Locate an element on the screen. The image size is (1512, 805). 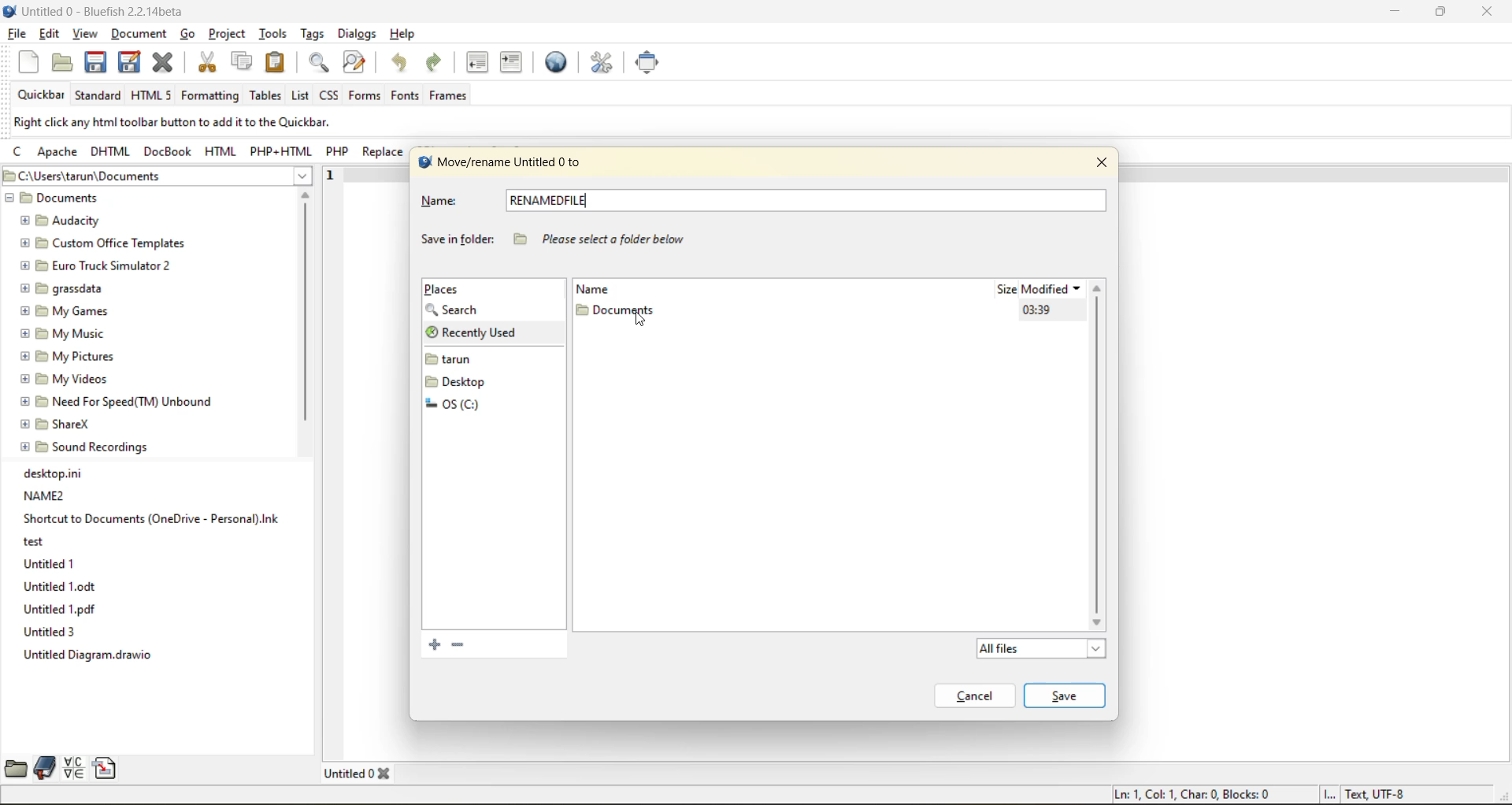
document is located at coordinates (137, 32).